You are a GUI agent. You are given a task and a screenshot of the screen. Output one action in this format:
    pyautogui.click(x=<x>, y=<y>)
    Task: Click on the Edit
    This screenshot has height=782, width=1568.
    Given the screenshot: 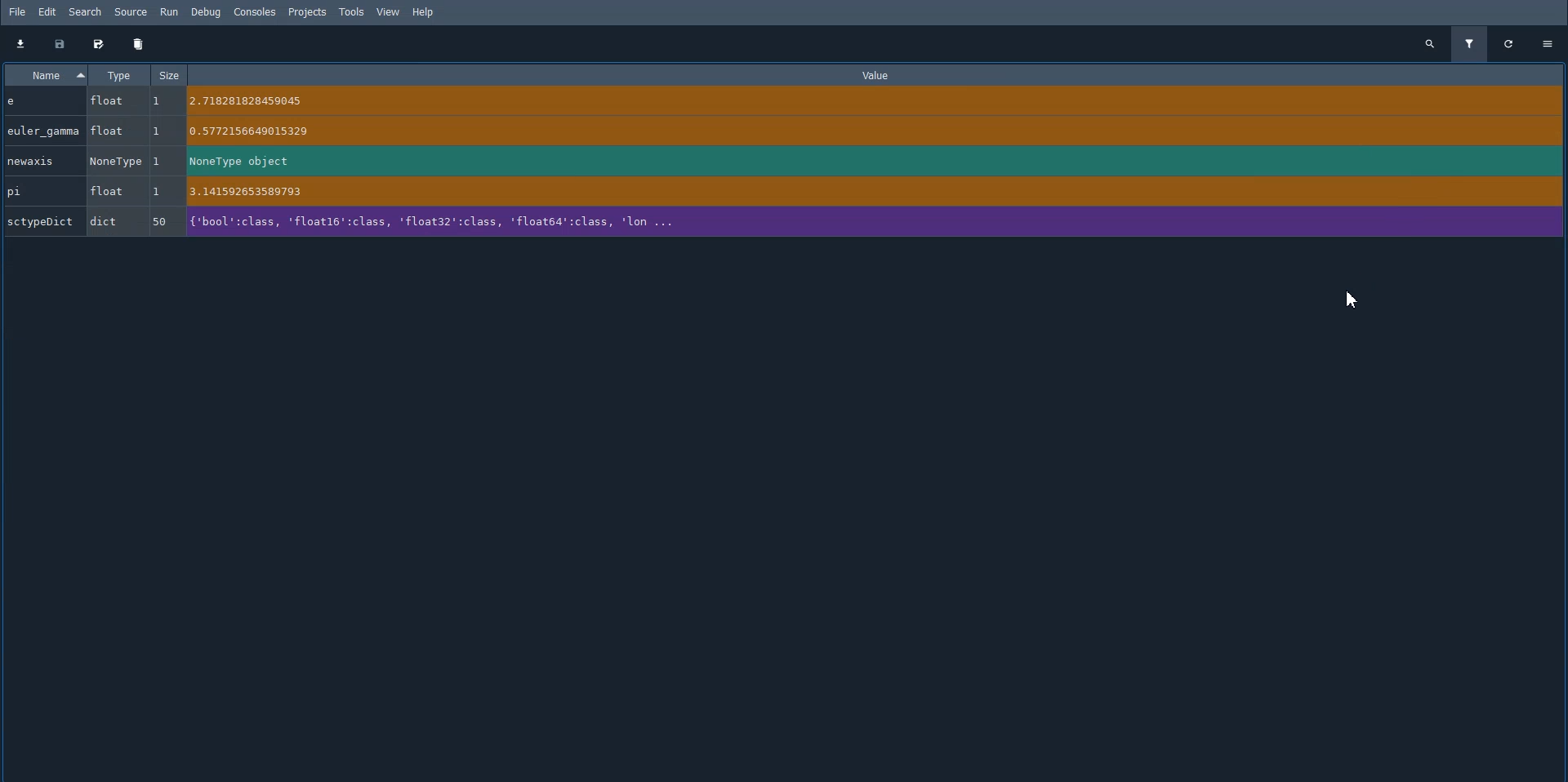 What is the action you would take?
    pyautogui.click(x=48, y=12)
    